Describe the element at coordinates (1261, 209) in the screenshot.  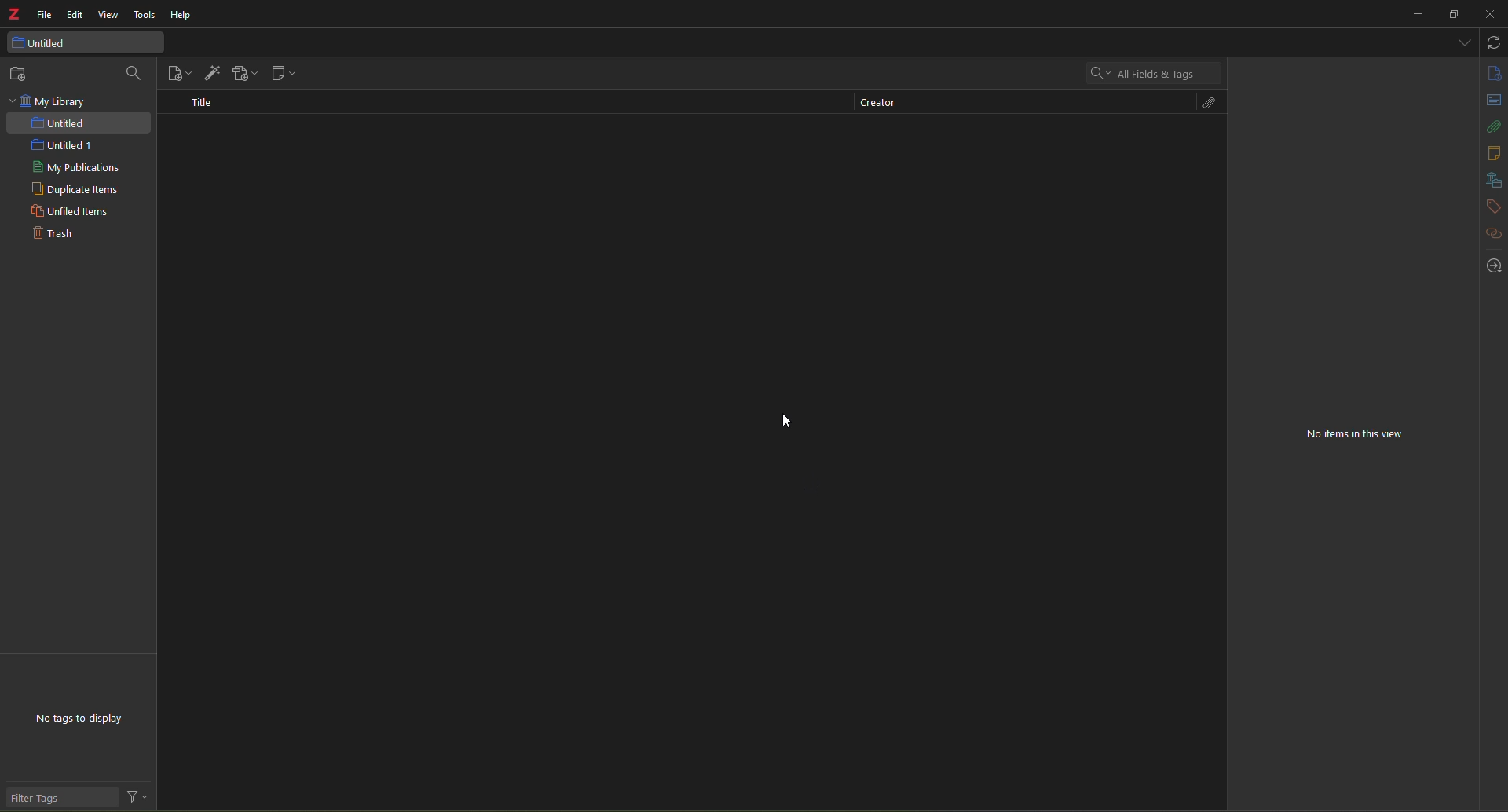
I see `note` at that location.